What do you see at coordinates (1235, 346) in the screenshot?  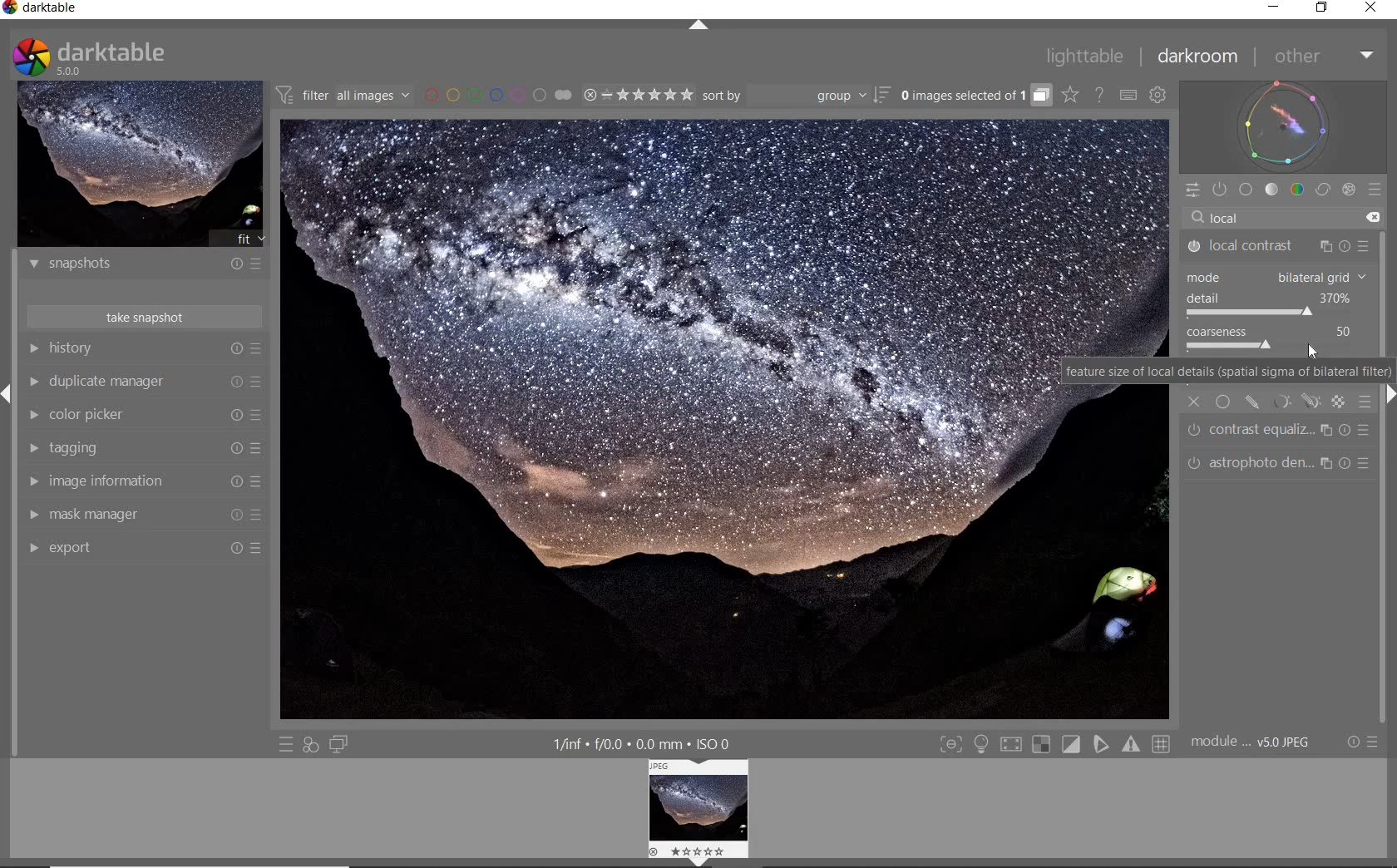 I see `coarseness slider` at bounding box center [1235, 346].